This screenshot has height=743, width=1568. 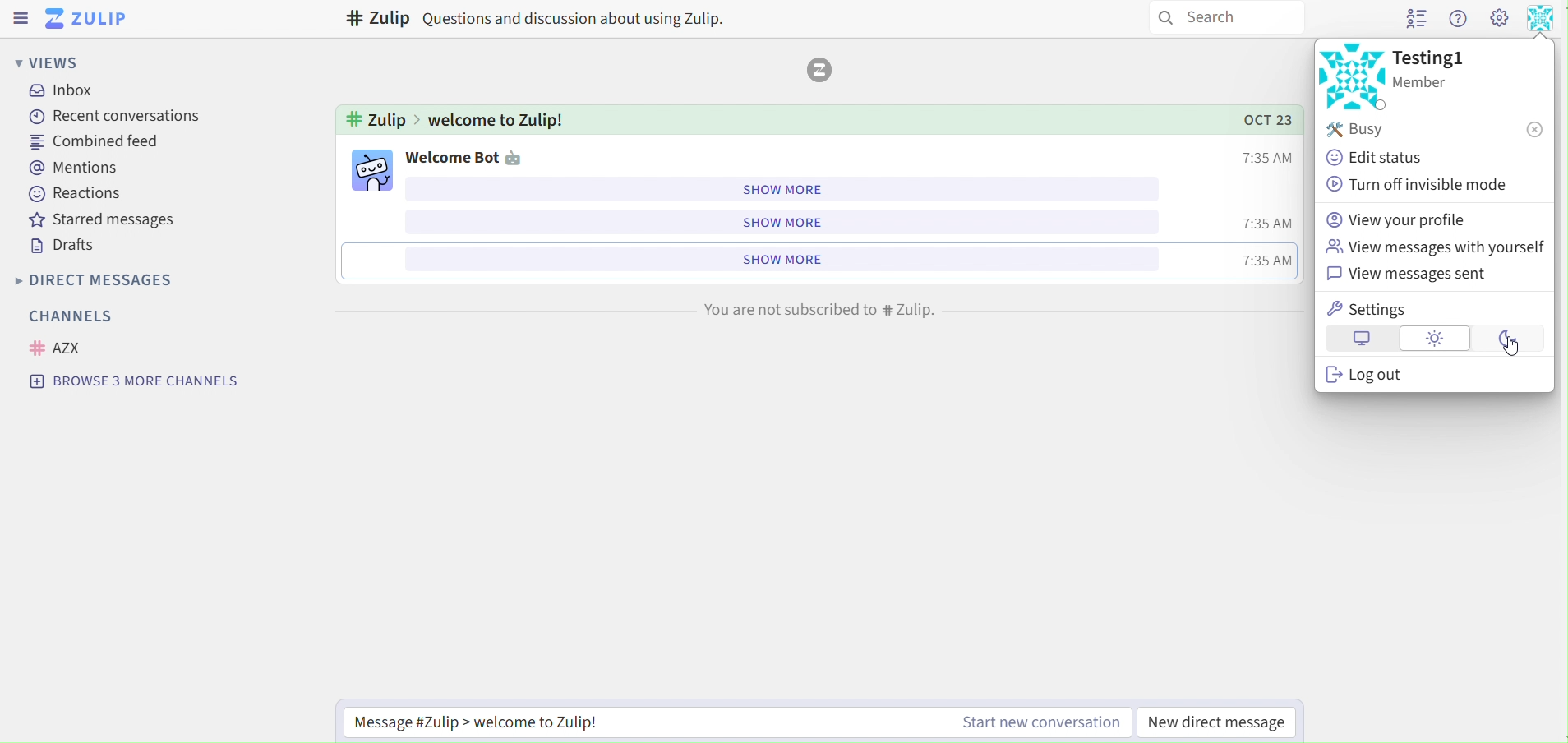 I want to click on settings, so click(x=1371, y=309).